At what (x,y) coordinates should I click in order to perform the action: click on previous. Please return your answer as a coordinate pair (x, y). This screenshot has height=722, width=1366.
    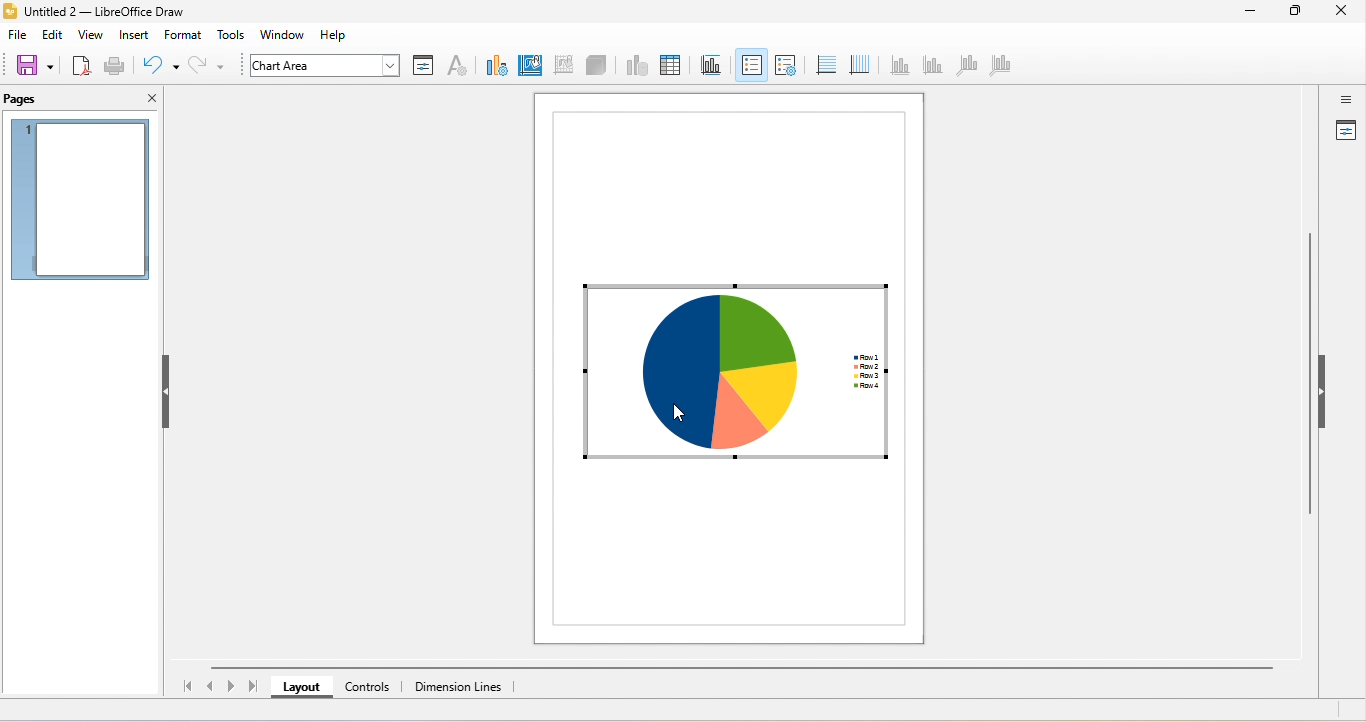
    Looking at the image, I should click on (213, 684).